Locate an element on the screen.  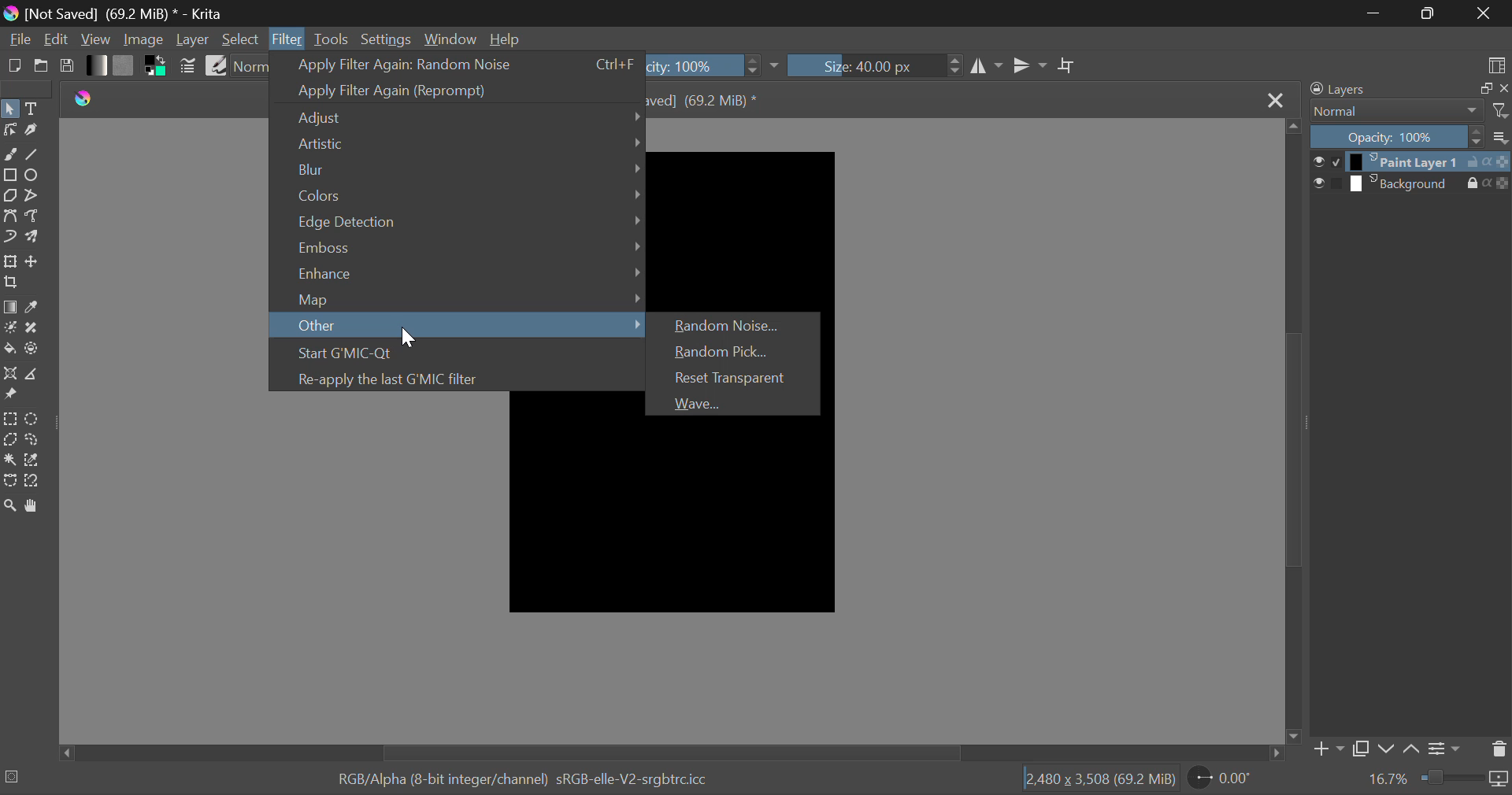
Map is located at coordinates (457, 299).